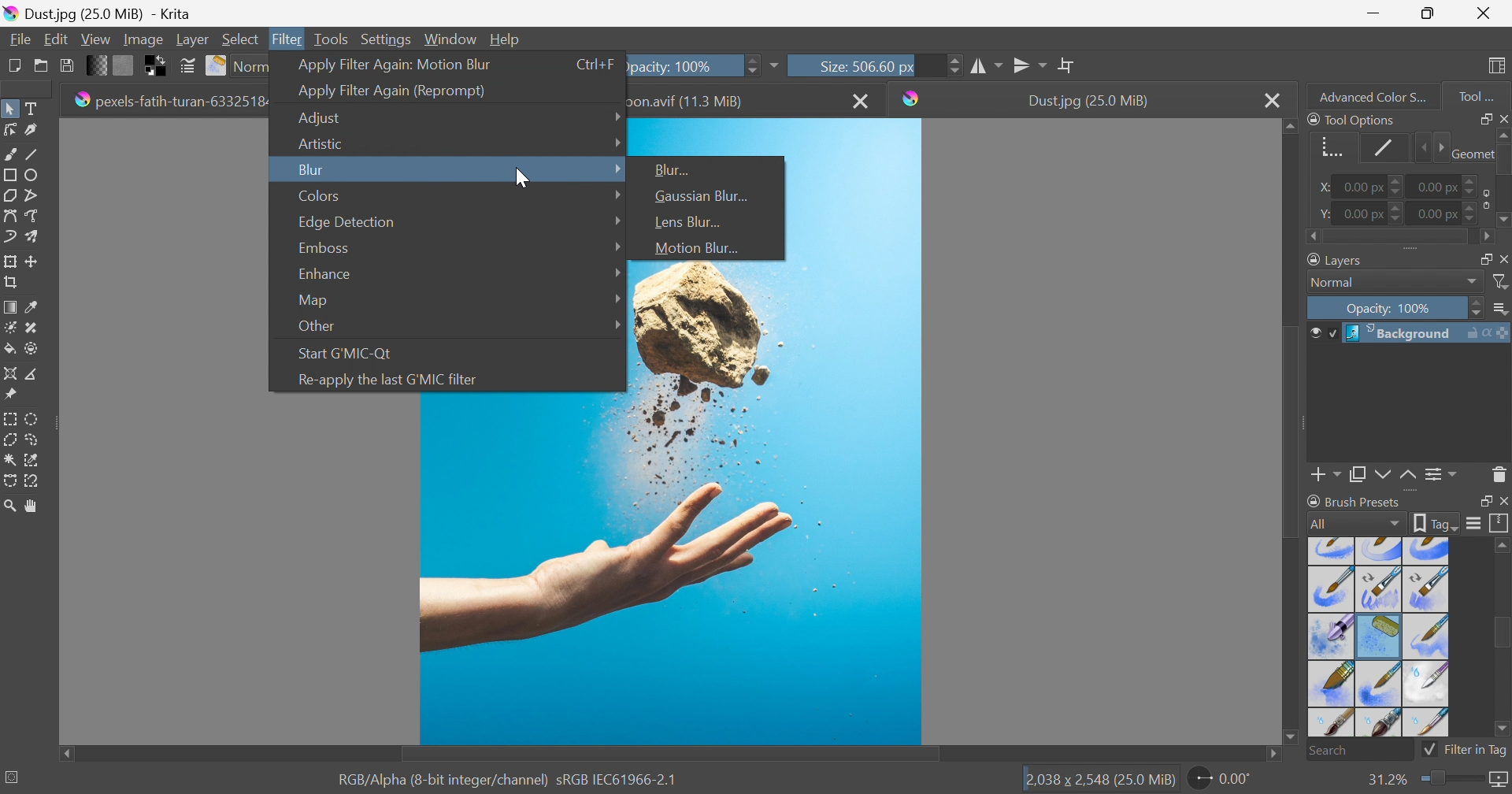 This screenshot has width=1512, height=794. What do you see at coordinates (12, 416) in the screenshot?
I see `Rectangular selection tool` at bounding box center [12, 416].